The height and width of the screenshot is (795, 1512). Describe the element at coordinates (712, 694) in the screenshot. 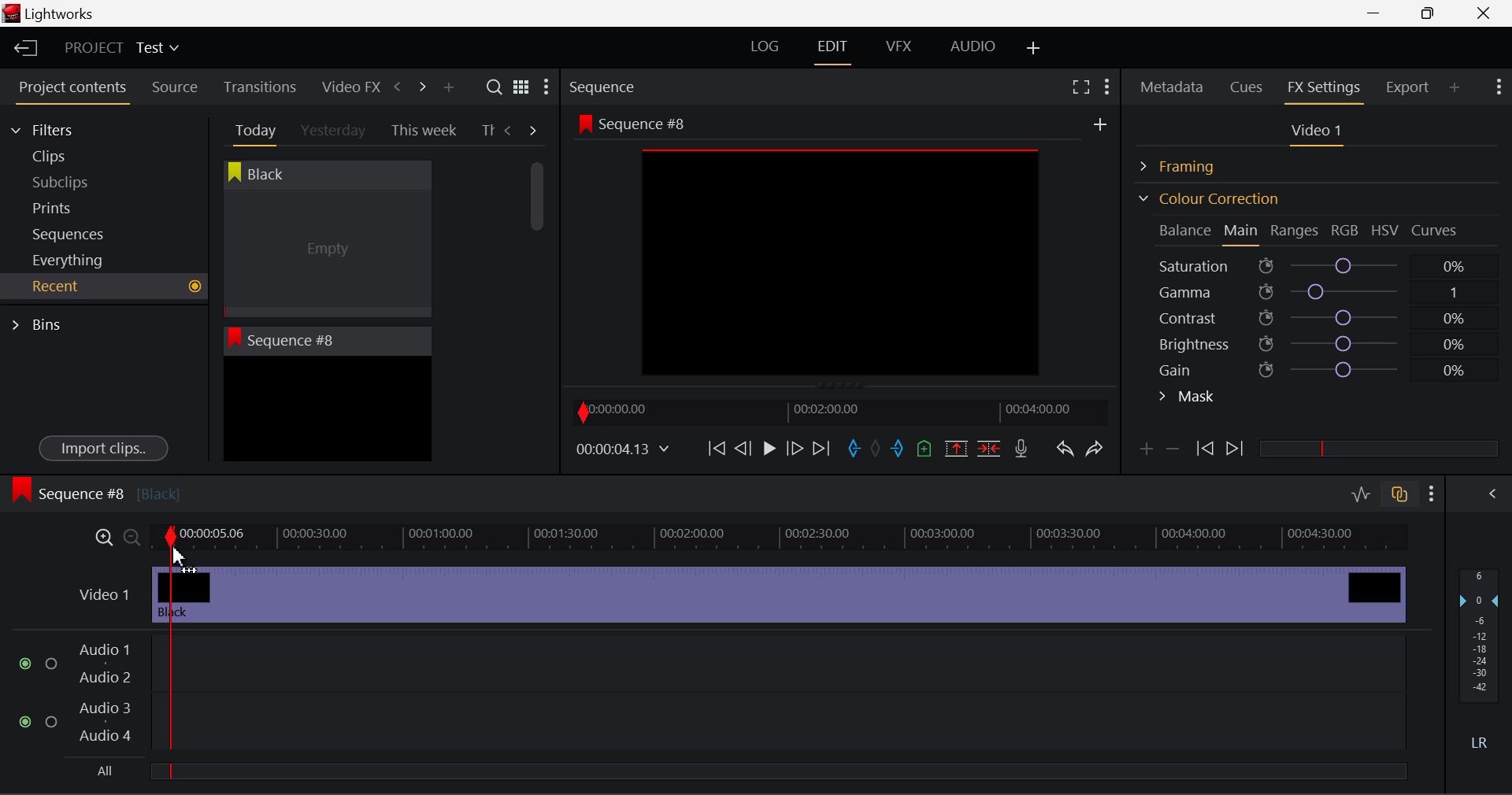

I see `Audio Input Fields` at that location.